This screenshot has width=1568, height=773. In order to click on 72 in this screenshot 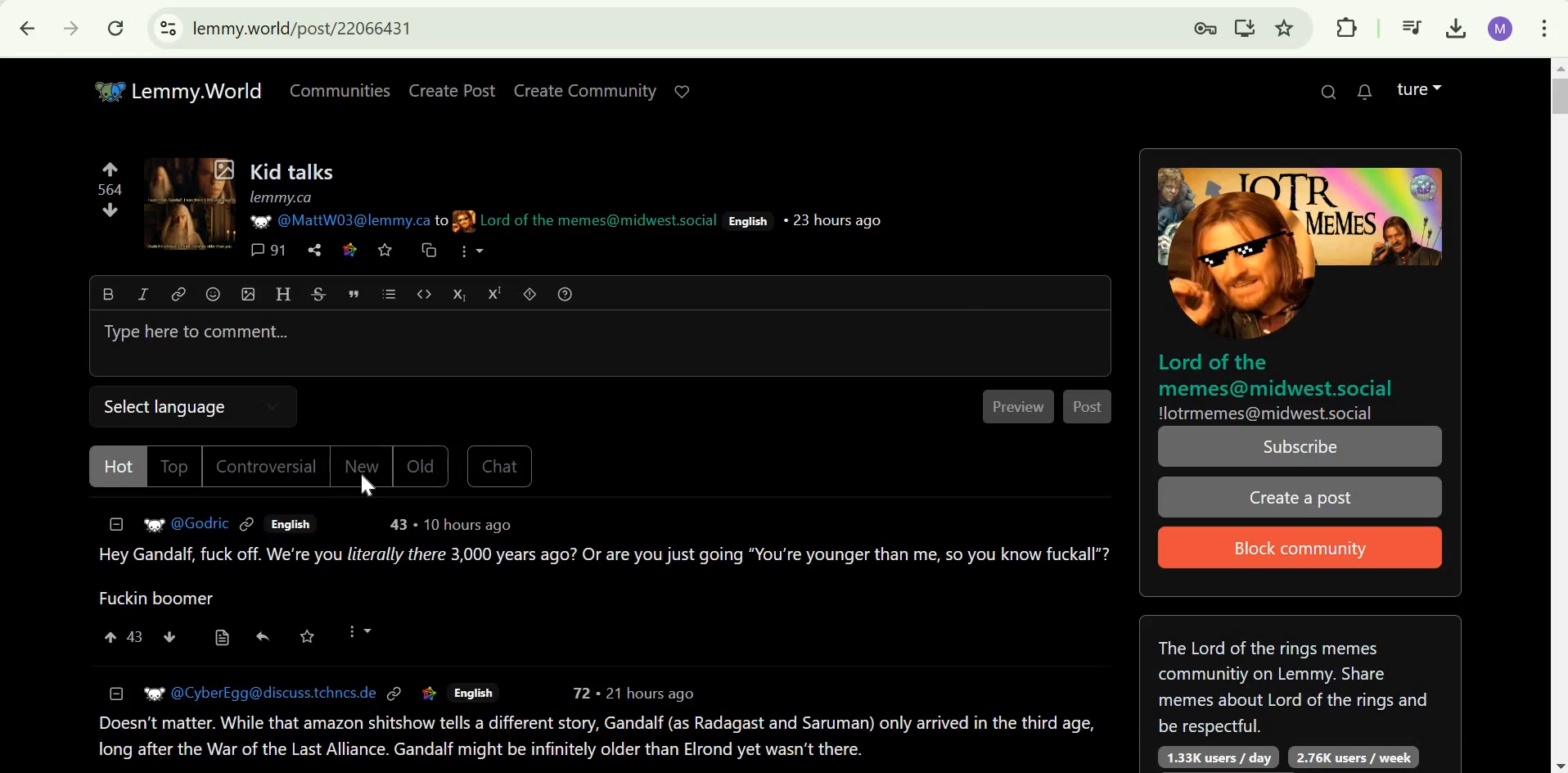, I will do `click(583, 692)`.